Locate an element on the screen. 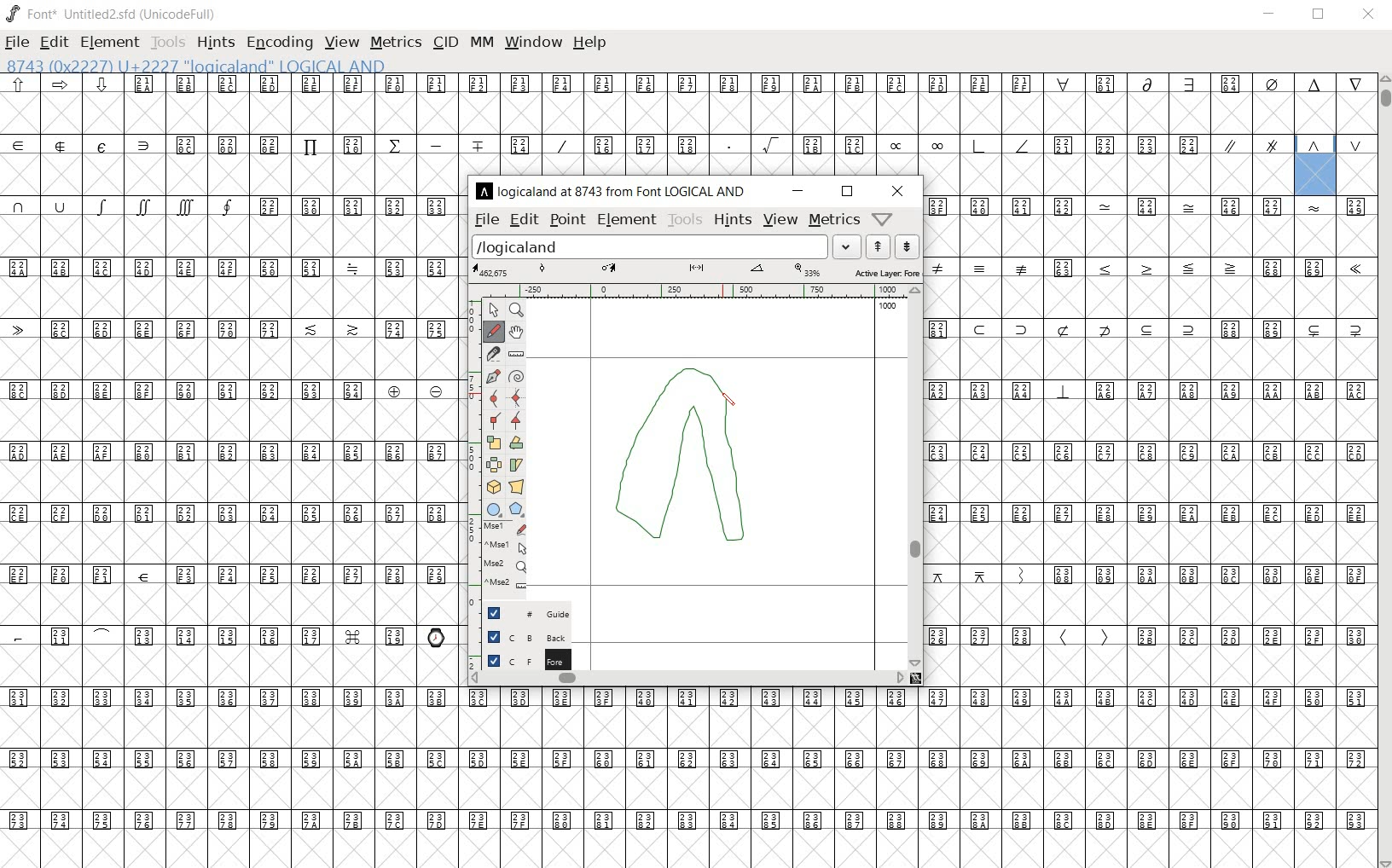  Add a corner point is located at coordinates (517, 420).